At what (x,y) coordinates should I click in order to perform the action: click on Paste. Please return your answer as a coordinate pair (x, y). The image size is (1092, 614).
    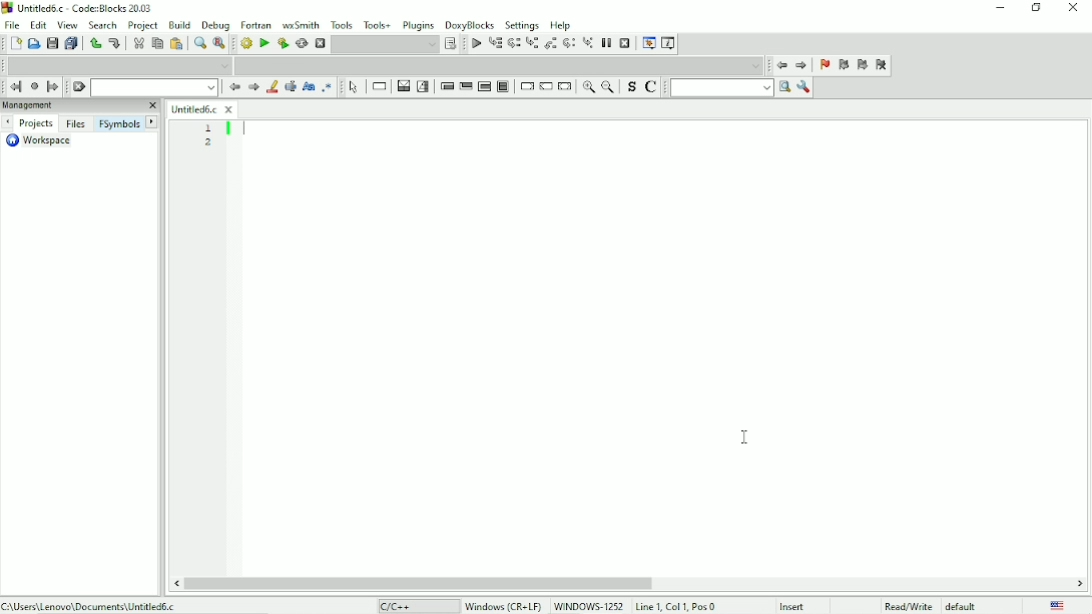
    Looking at the image, I should click on (176, 44).